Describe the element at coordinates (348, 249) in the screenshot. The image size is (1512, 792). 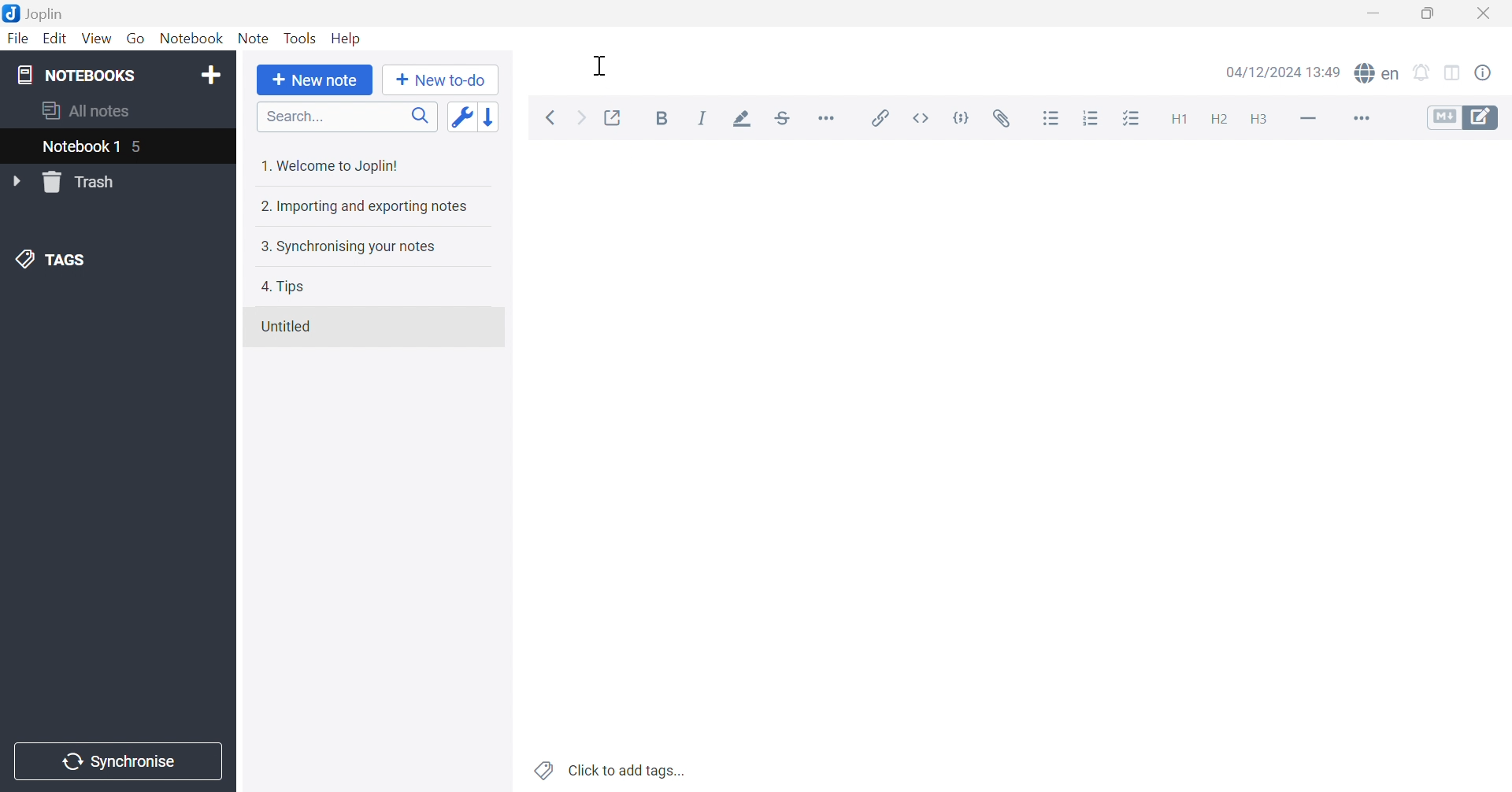
I see `3. Synchronising your notes` at that location.